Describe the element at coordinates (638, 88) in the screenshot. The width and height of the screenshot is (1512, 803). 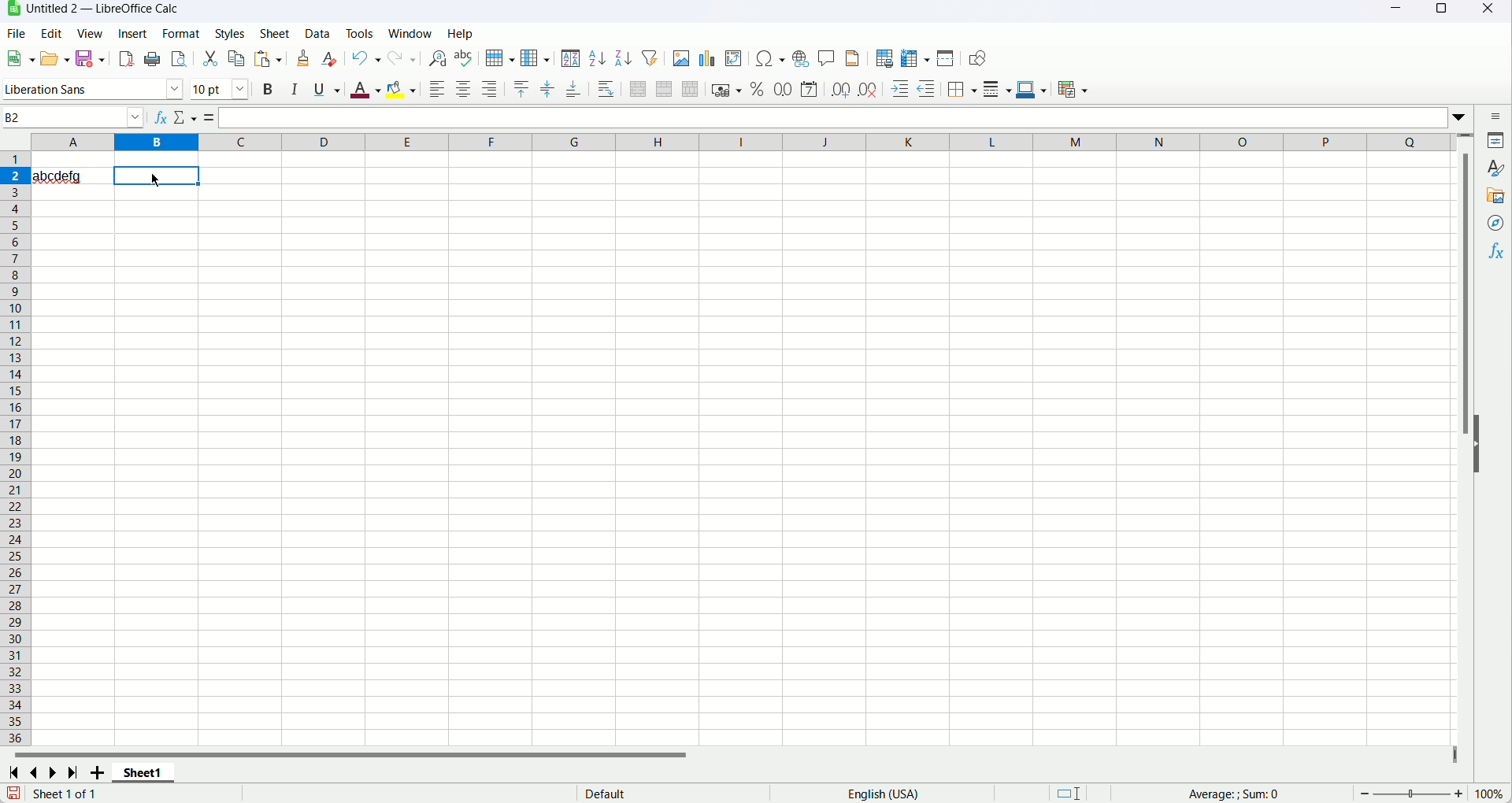
I see `merge and center` at that location.